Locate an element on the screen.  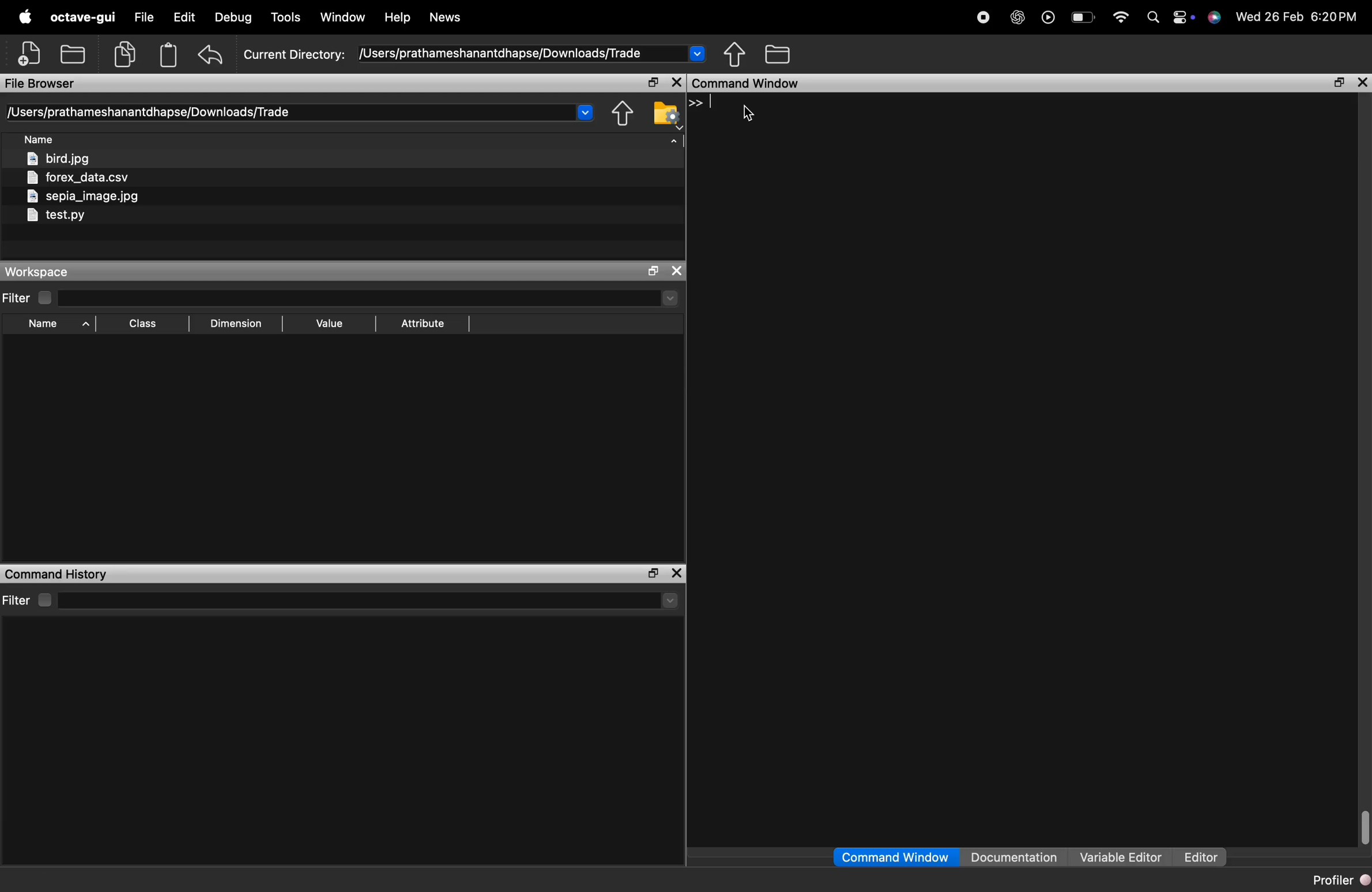
Name is located at coordinates (60, 325).